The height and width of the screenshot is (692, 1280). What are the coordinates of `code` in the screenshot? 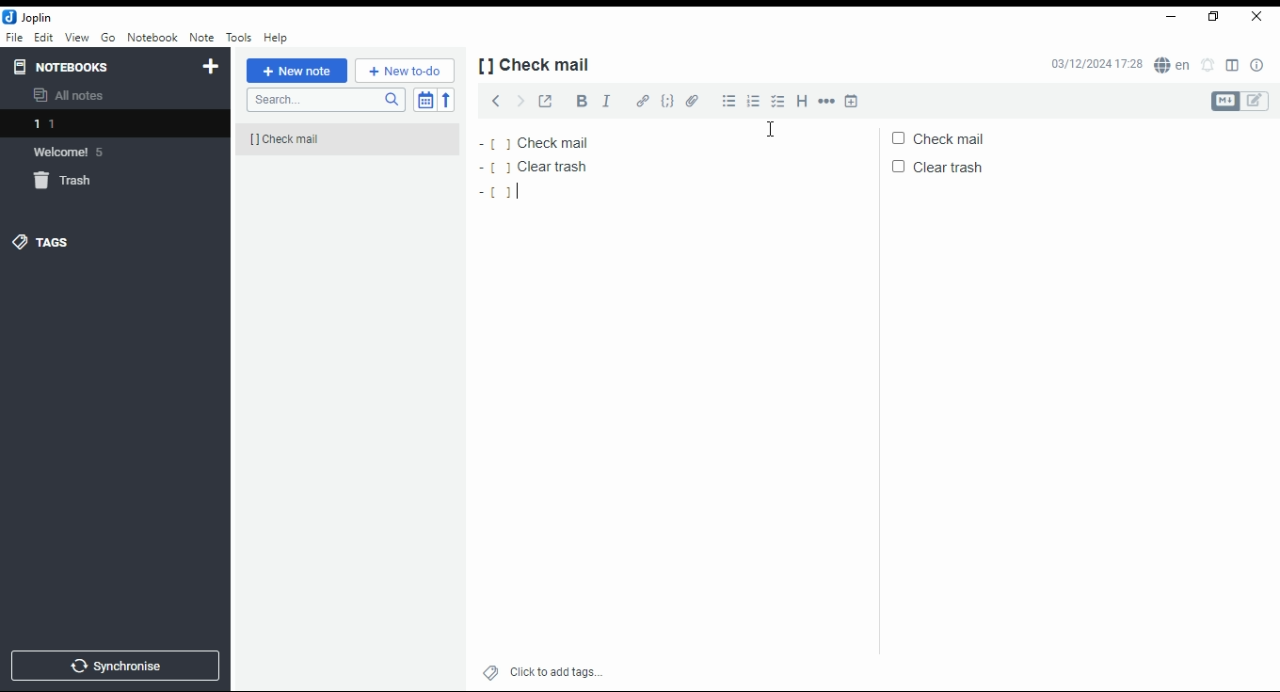 It's located at (668, 102).